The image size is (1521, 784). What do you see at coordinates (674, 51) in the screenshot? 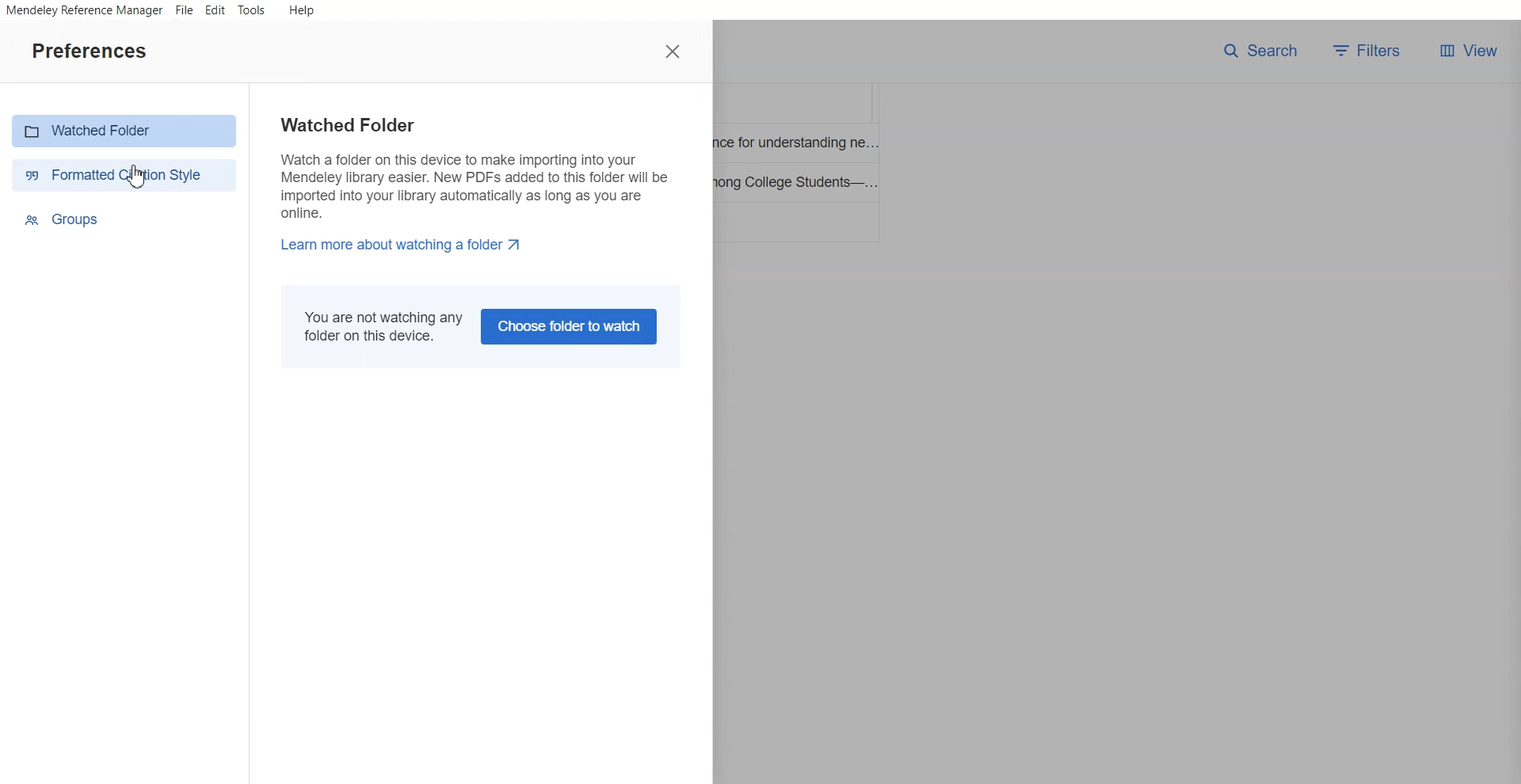
I see `Close` at bounding box center [674, 51].